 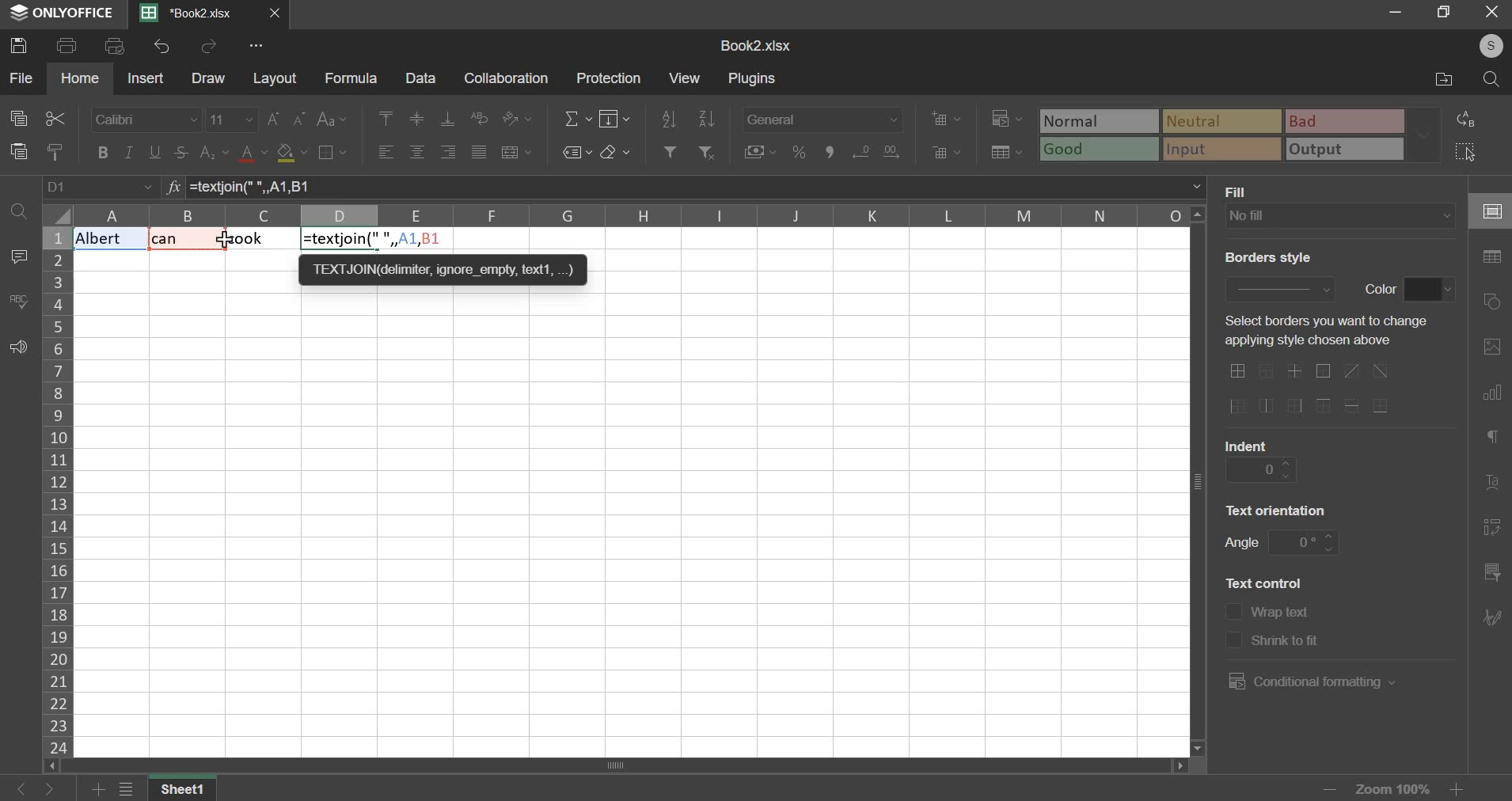 What do you see at coordinates (754, 79) in the screenshot?
I see `plugins` at bounding box center [754, 79].